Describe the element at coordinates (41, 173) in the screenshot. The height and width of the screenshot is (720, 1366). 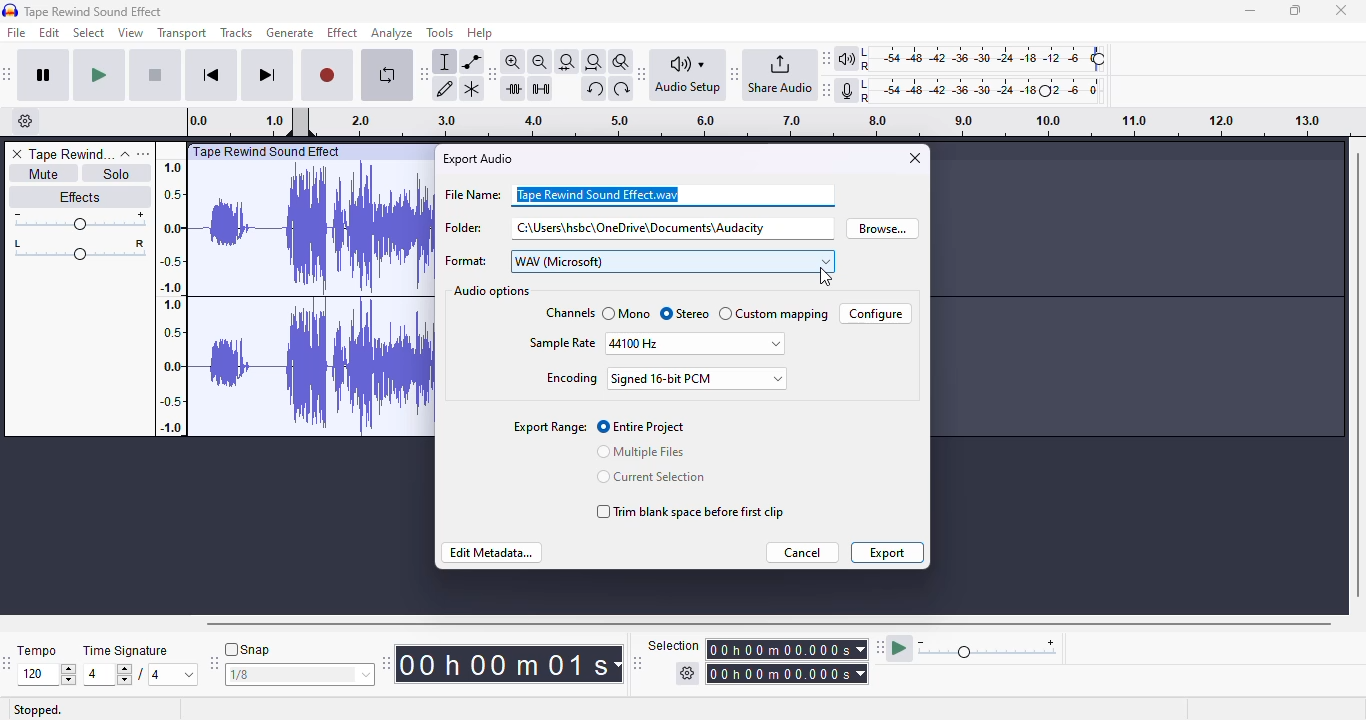
I see `mute` at that location.